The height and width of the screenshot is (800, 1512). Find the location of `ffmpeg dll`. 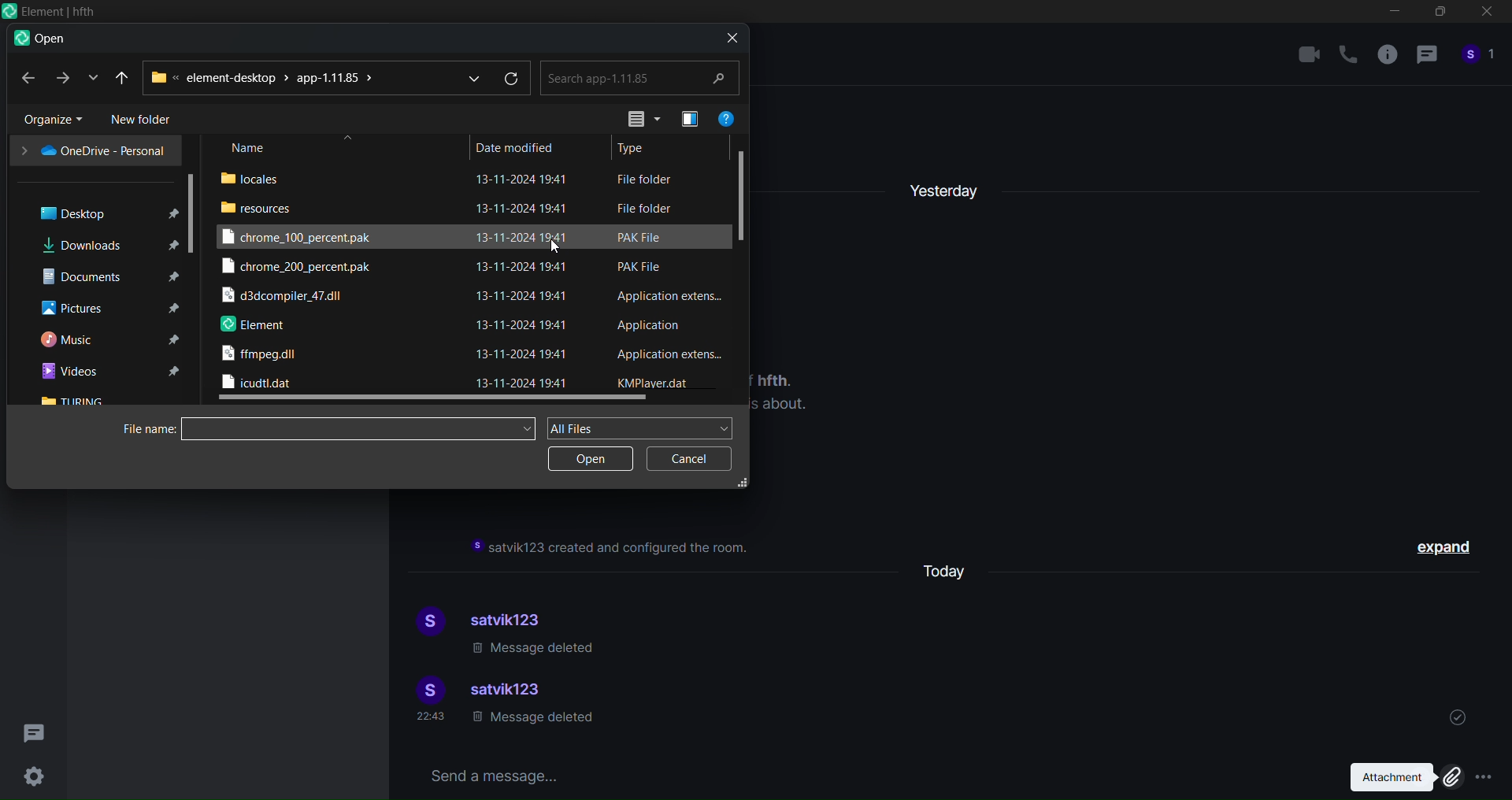

ffmpeg dll is located at coordinates (262, 357).